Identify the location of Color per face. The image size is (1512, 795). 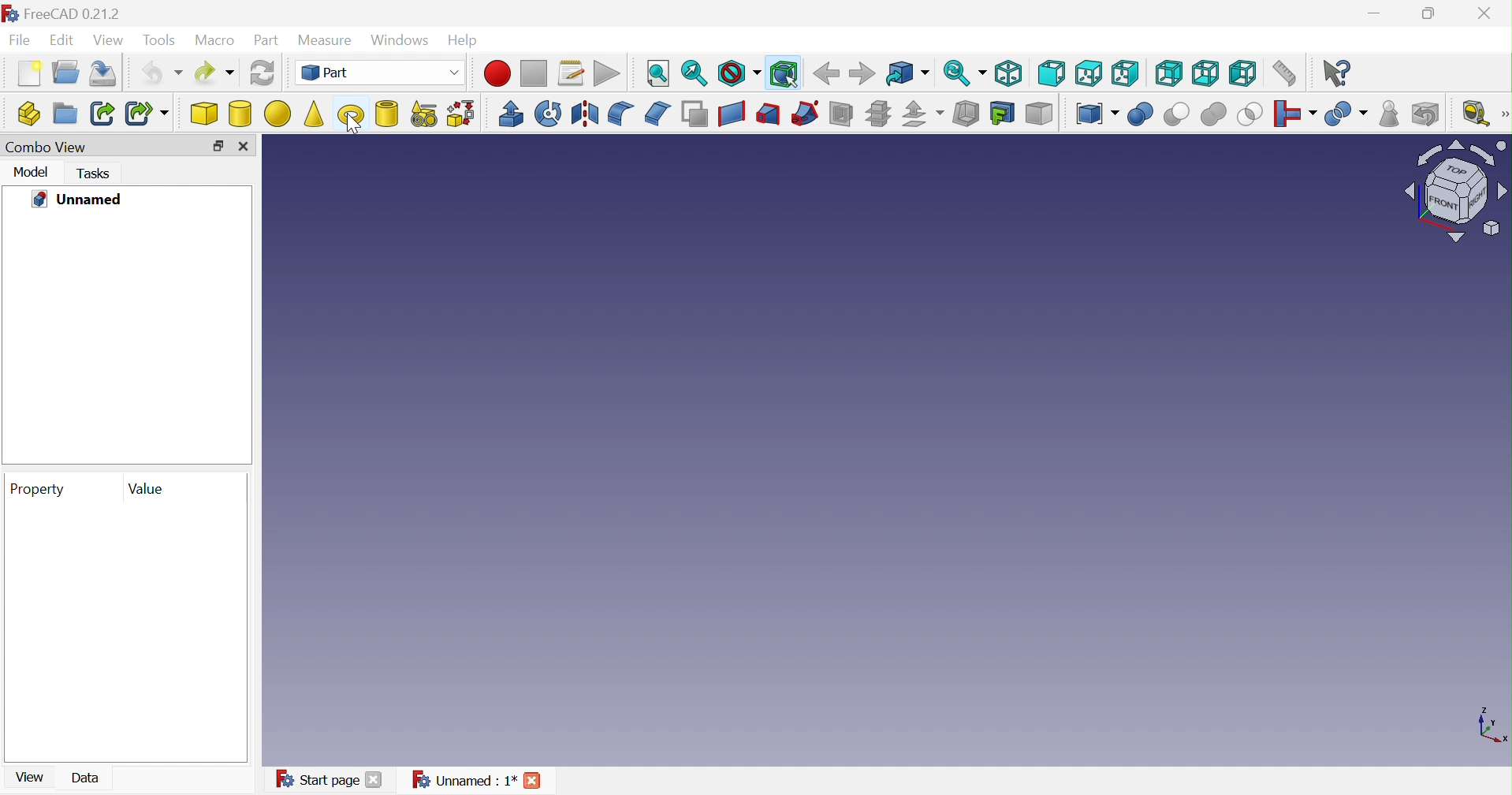
(1036, 114).